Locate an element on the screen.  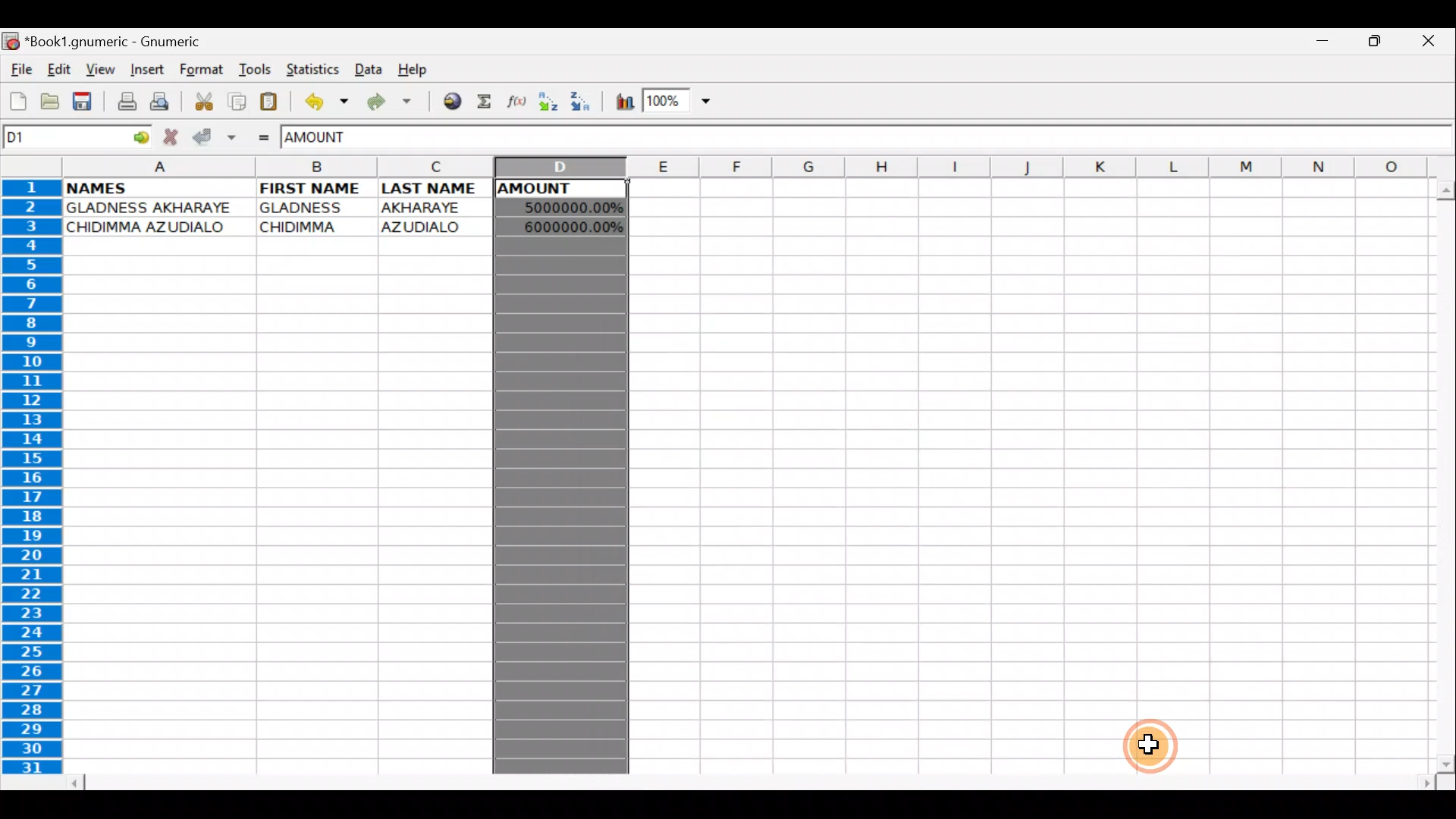
Cursor is located at coordinates (1153, 746).